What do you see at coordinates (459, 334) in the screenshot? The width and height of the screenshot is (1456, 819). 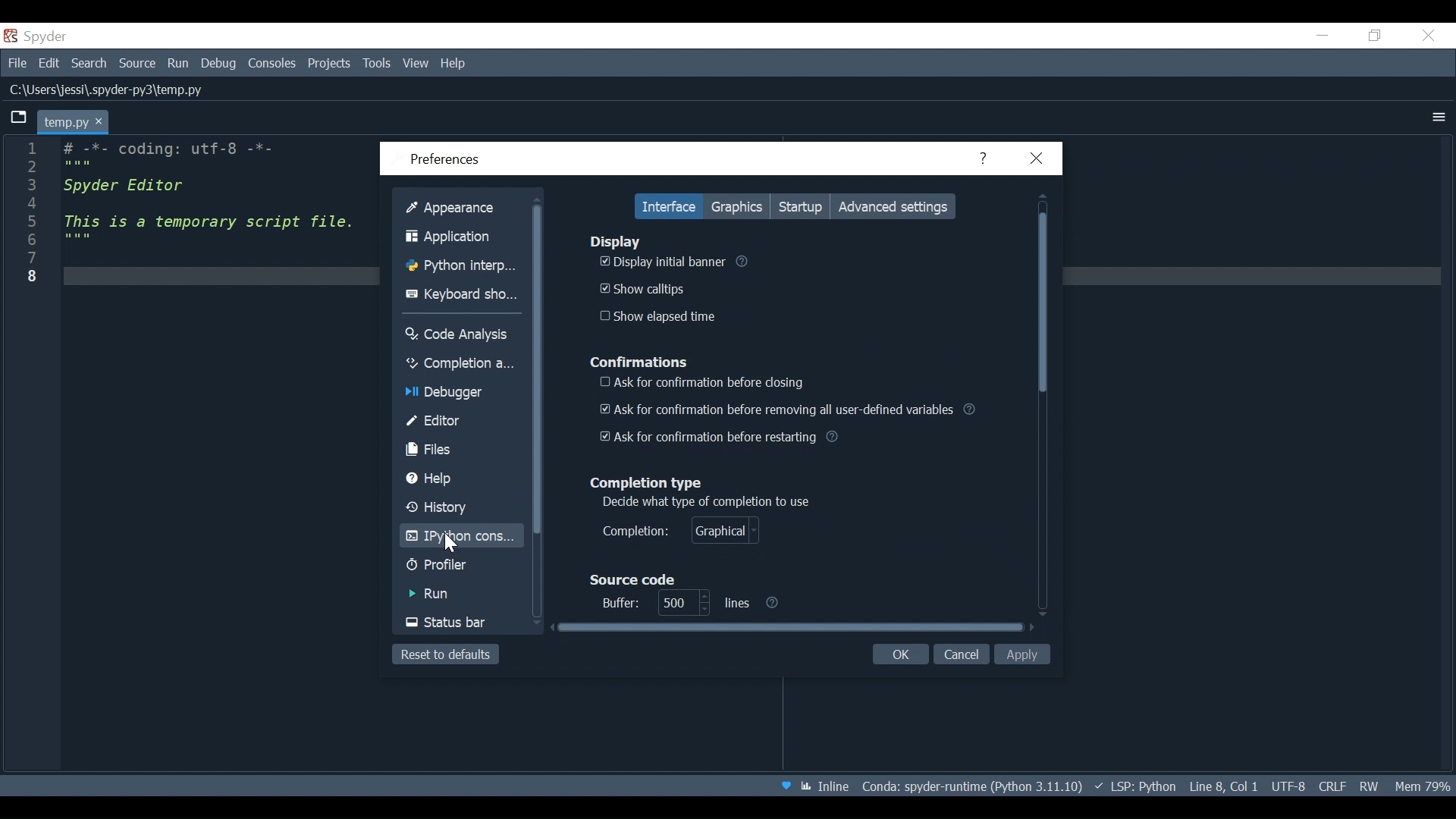 I see `Code Analysis` at bounding box center [459, 334].